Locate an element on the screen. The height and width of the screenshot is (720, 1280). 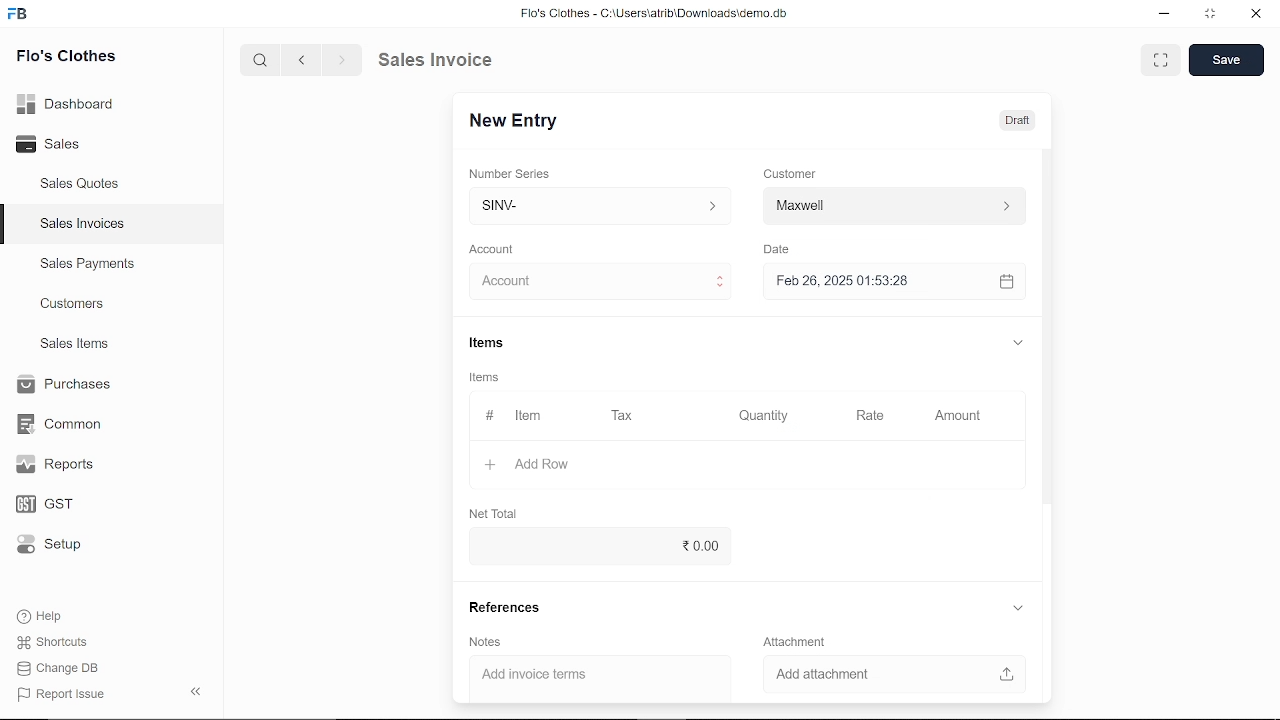
Sales Invoices is located at coordinates (89, 226).